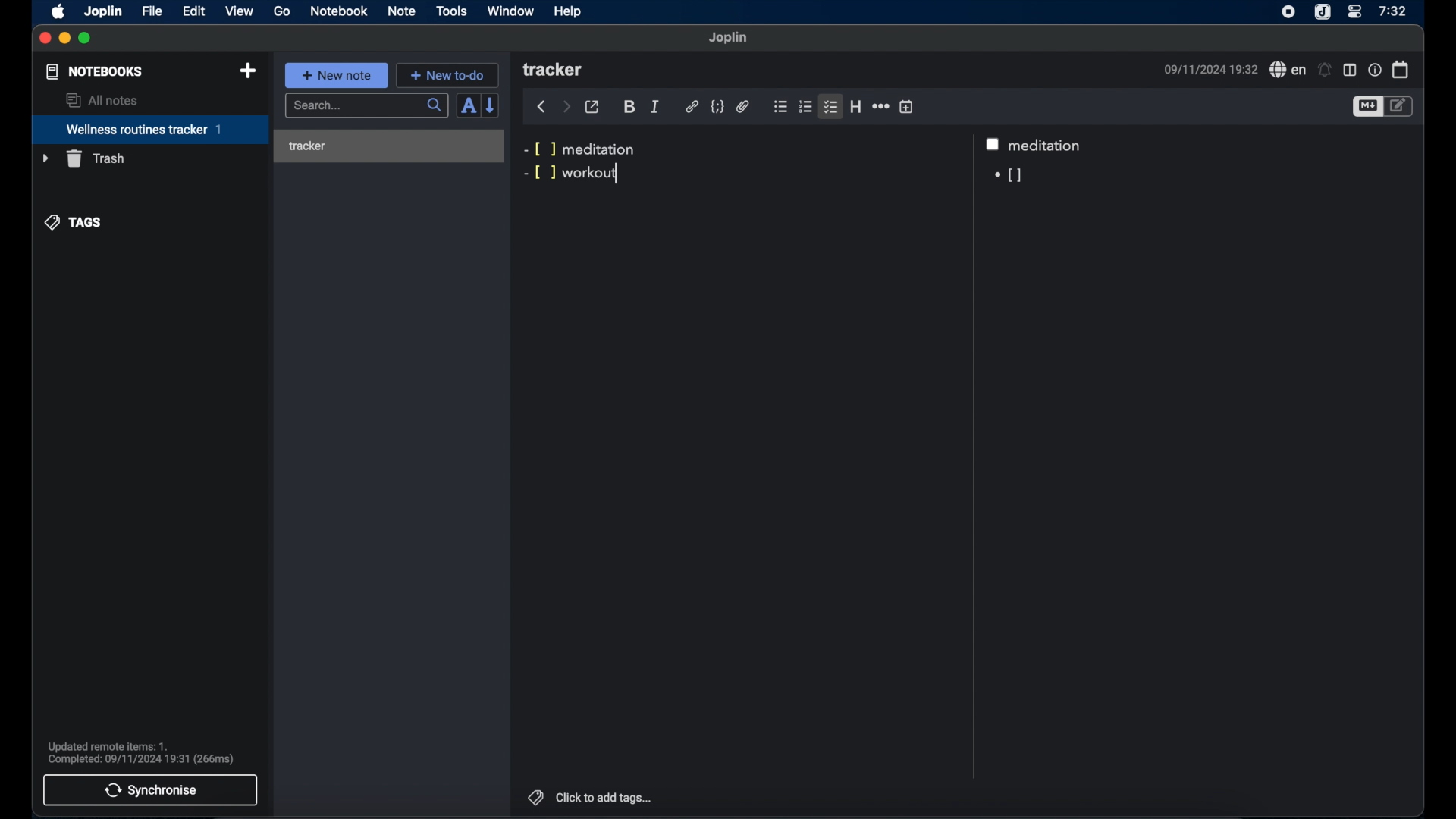 The height and width of the screenshot is (819, 1456). Describe the element at coordinates (832, 106) in the screenshot. I see `checklist` at that location.